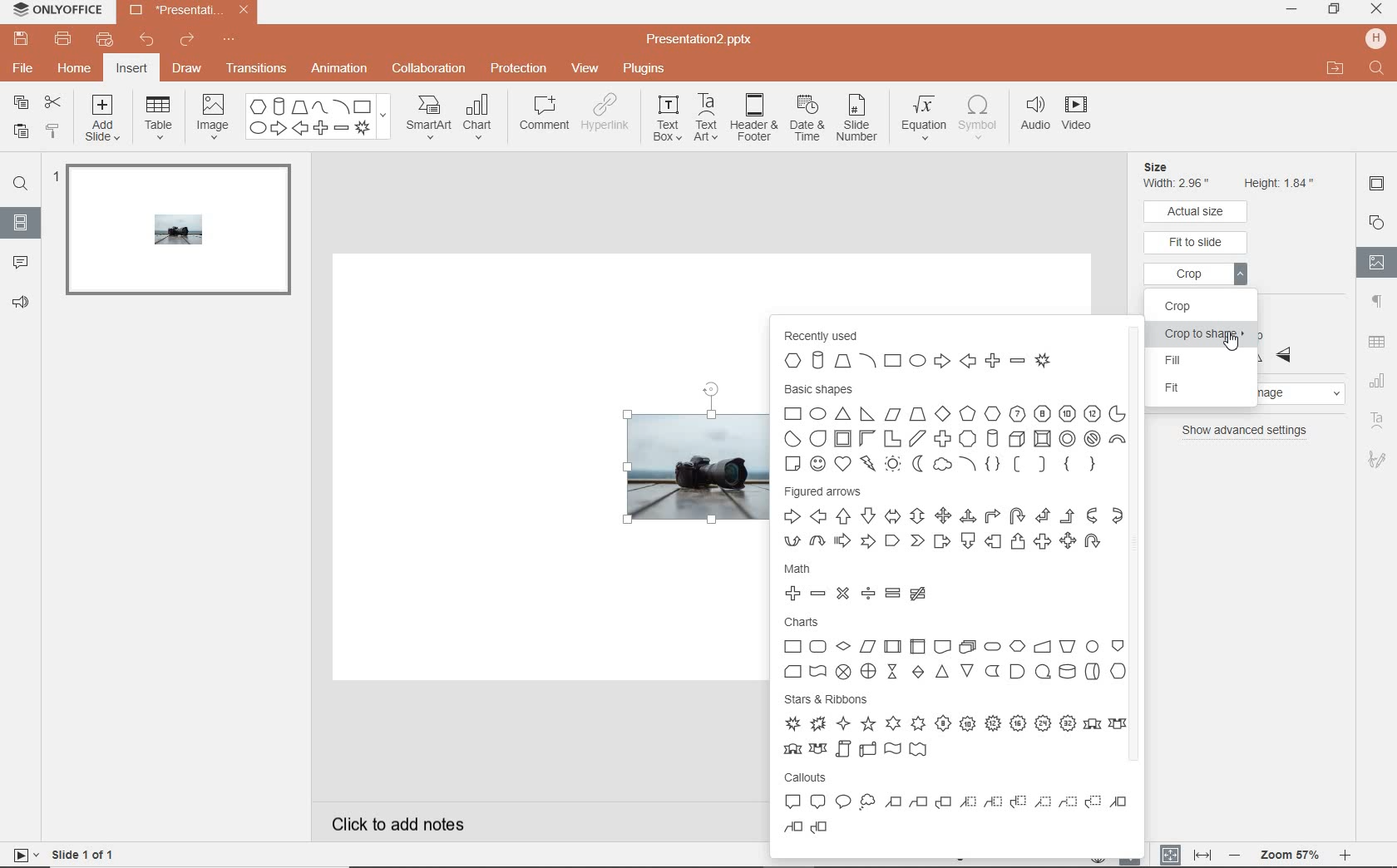 This screenshot has height=868, width=1397. What do you see at coordinates (644, 68) in the screenshot?
I see `plugins` at bounding box center [644, 68].